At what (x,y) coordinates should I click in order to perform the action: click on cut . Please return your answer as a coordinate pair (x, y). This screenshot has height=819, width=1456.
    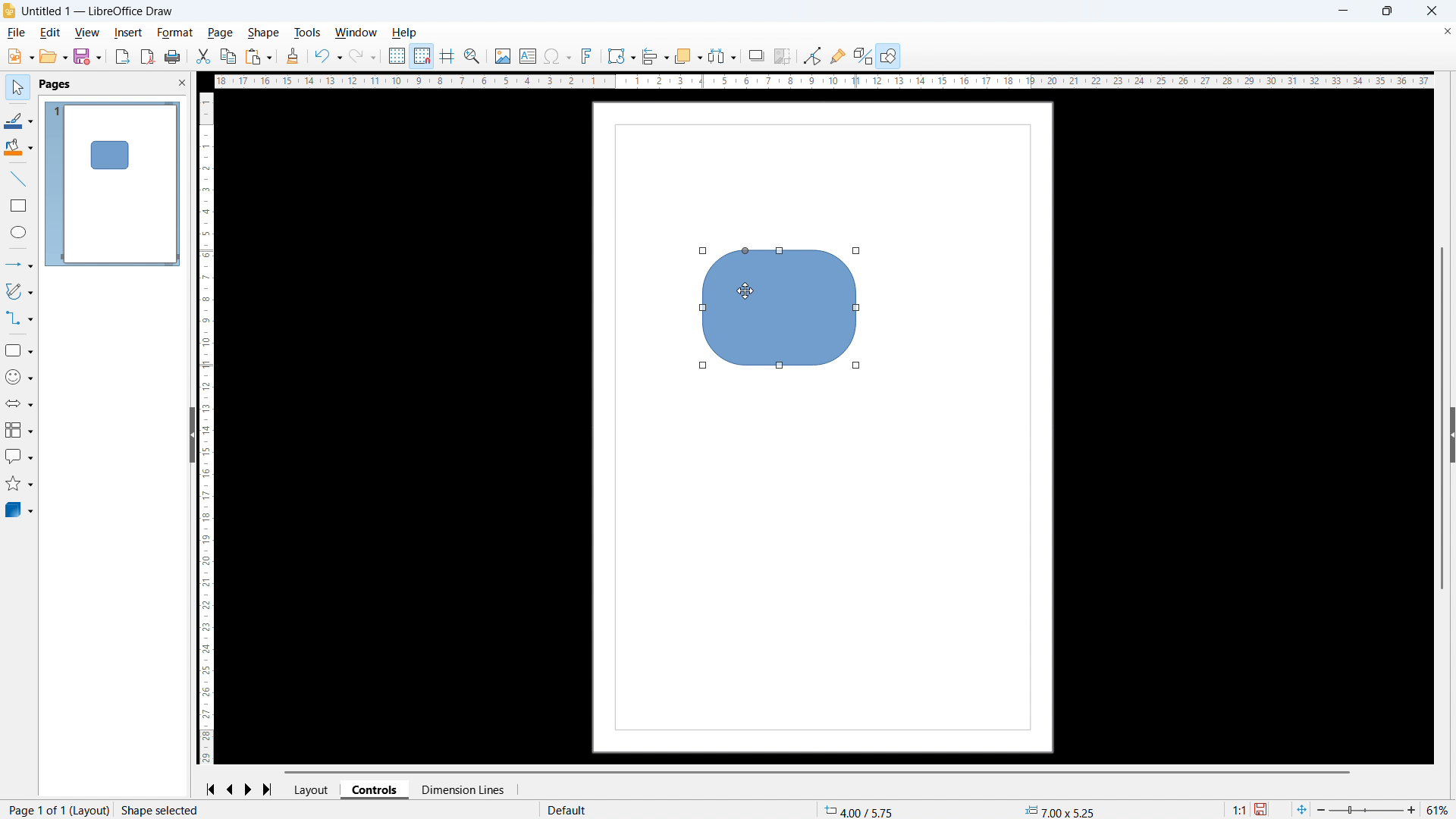
    Looking at the image, I should click on (202, 57).